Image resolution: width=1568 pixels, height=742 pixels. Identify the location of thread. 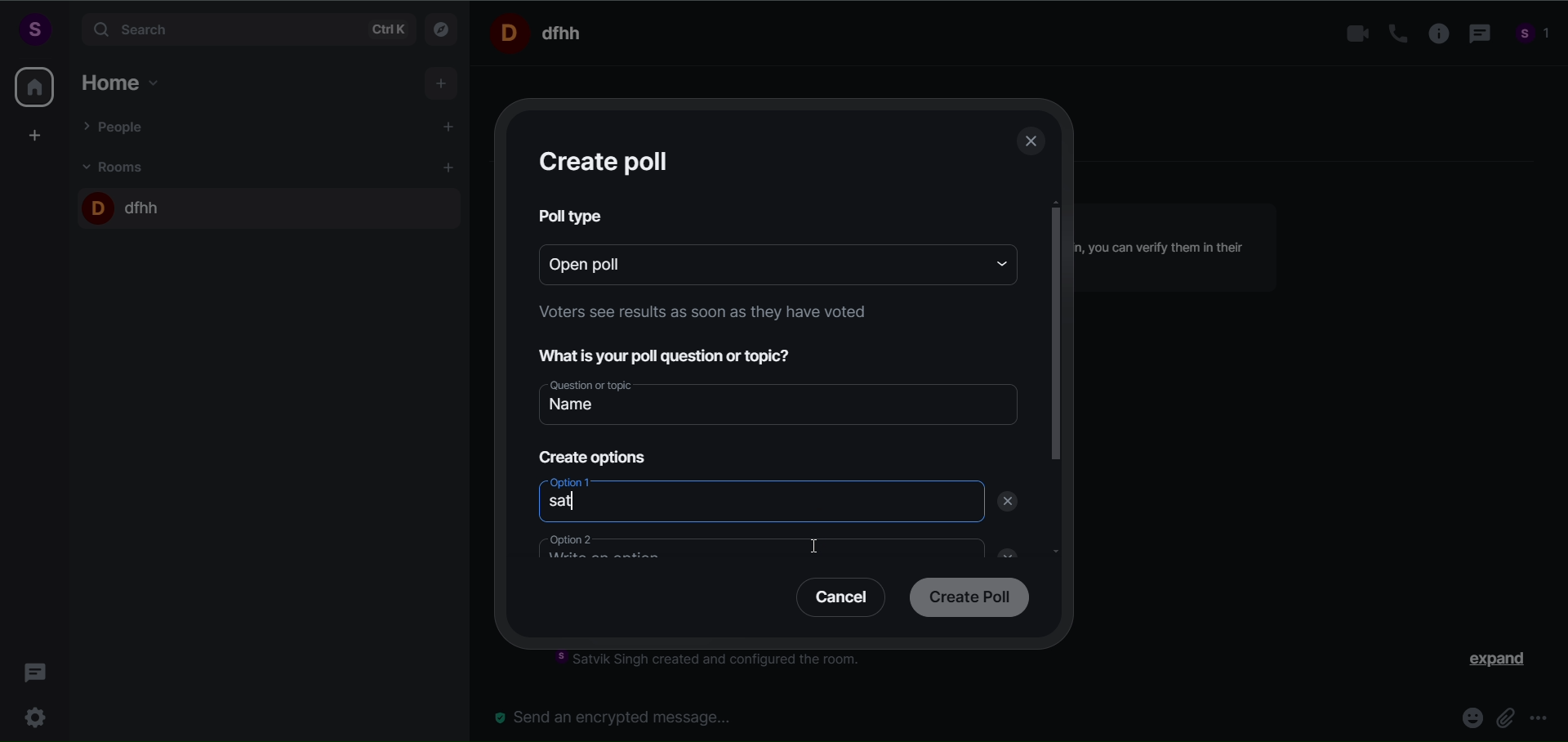
(1477, 35).